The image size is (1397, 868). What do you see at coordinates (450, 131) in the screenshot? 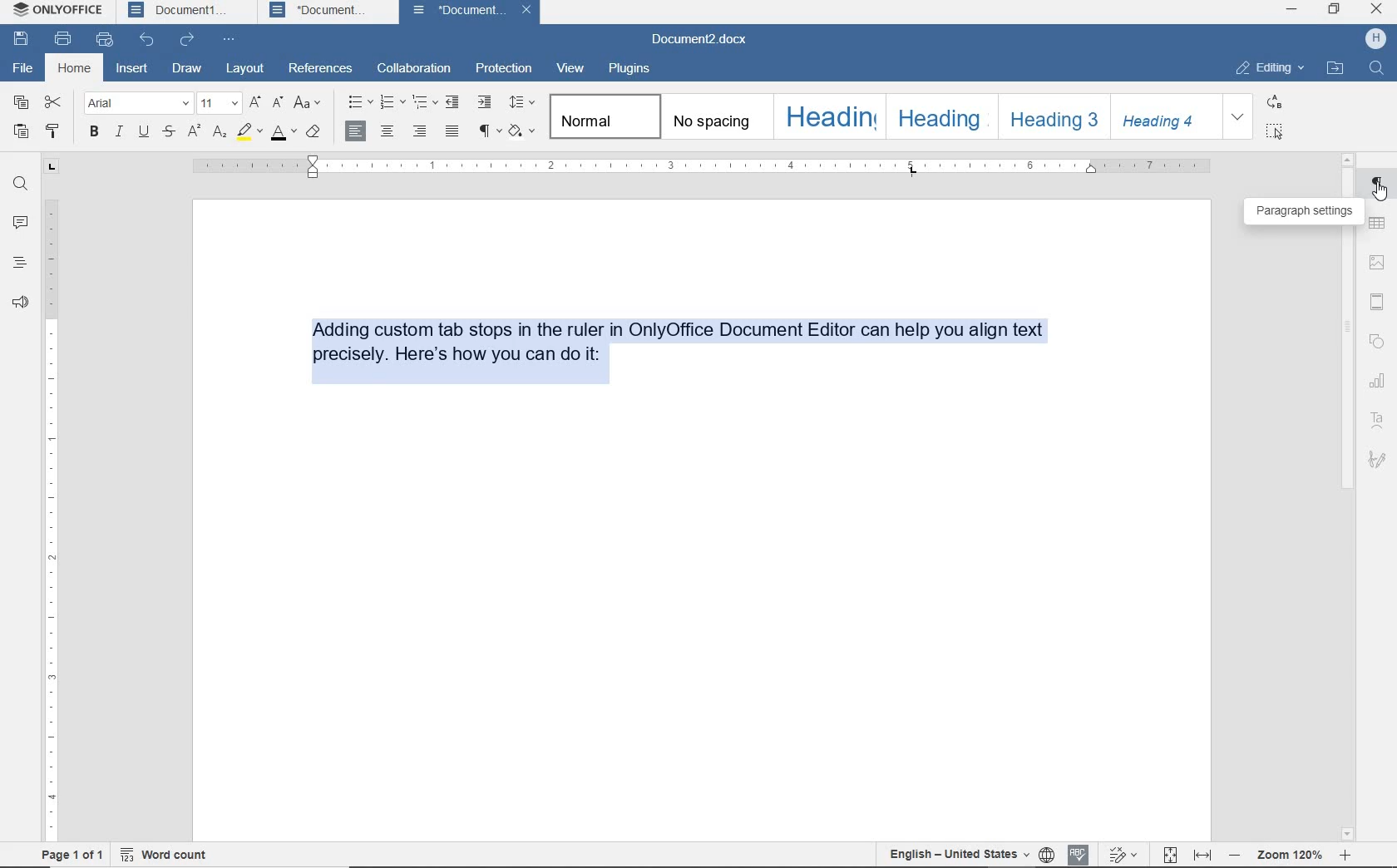
I see `justified` at bounding box center [450, 131].